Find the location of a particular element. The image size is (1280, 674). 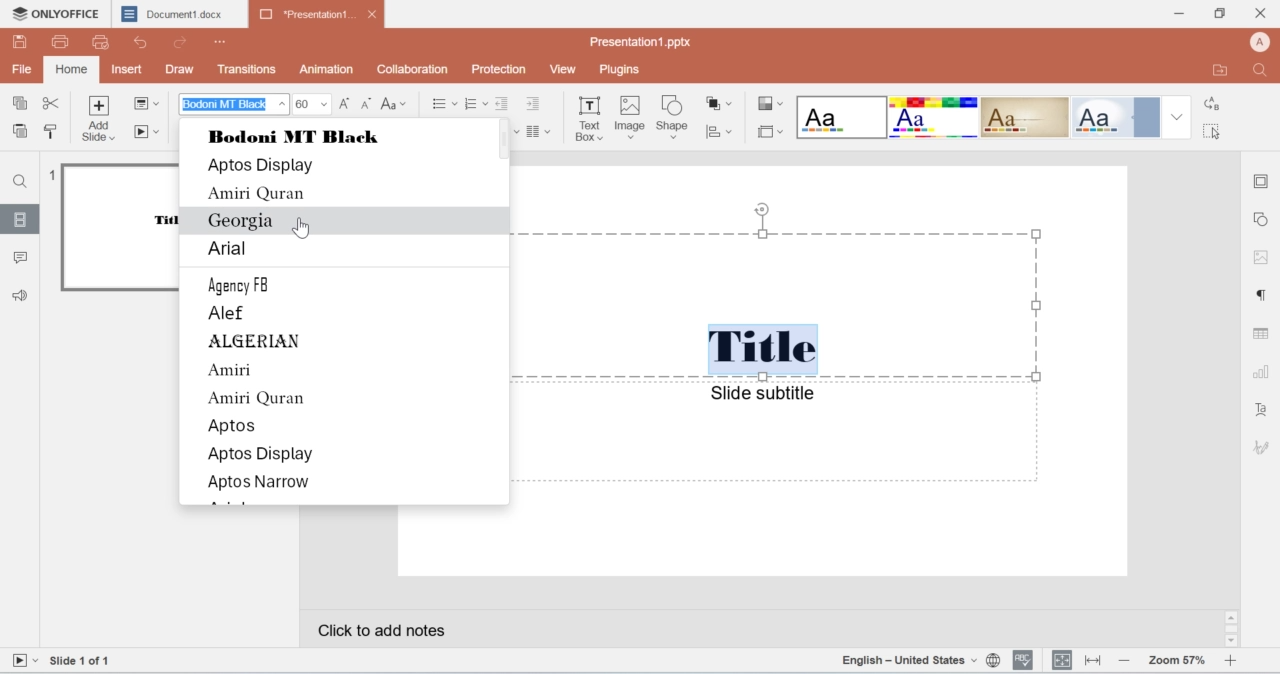

font settings is located at coordinates (1264, 412).